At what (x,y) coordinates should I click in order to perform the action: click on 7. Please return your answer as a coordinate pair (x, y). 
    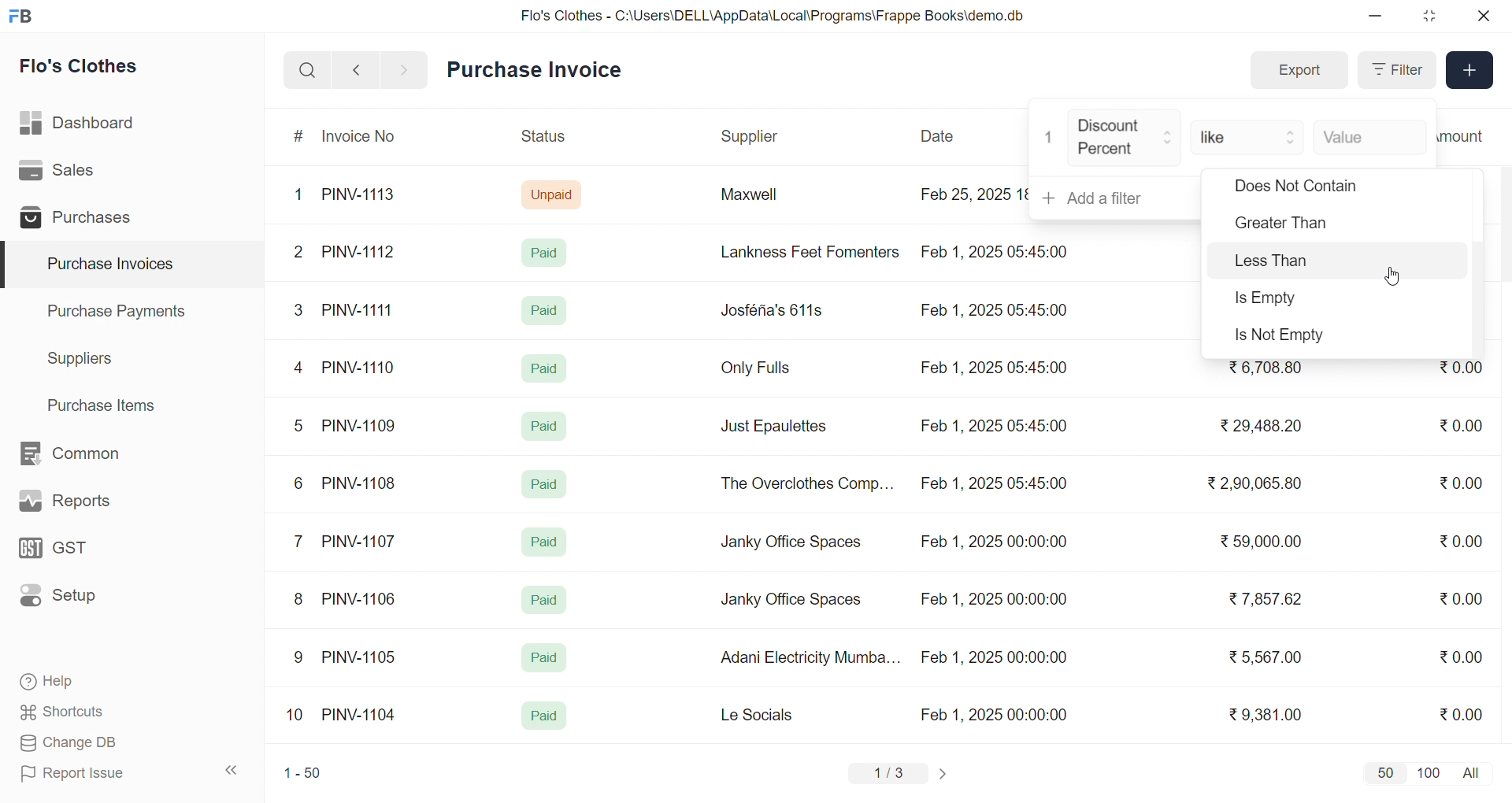
    Looking at the image, I should click on (302, 540).